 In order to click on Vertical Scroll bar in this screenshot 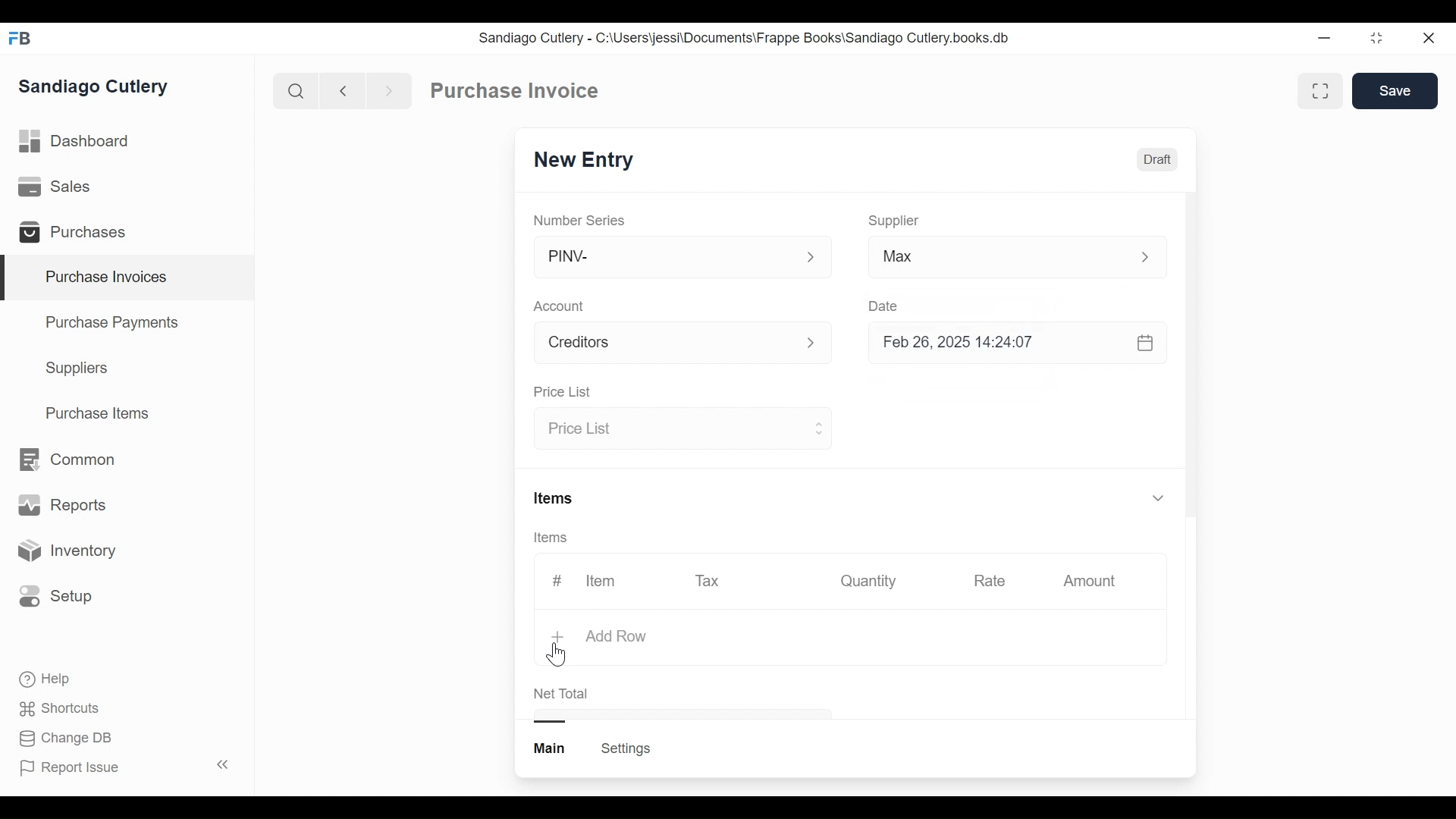, I will do `click(1191, 358)`.